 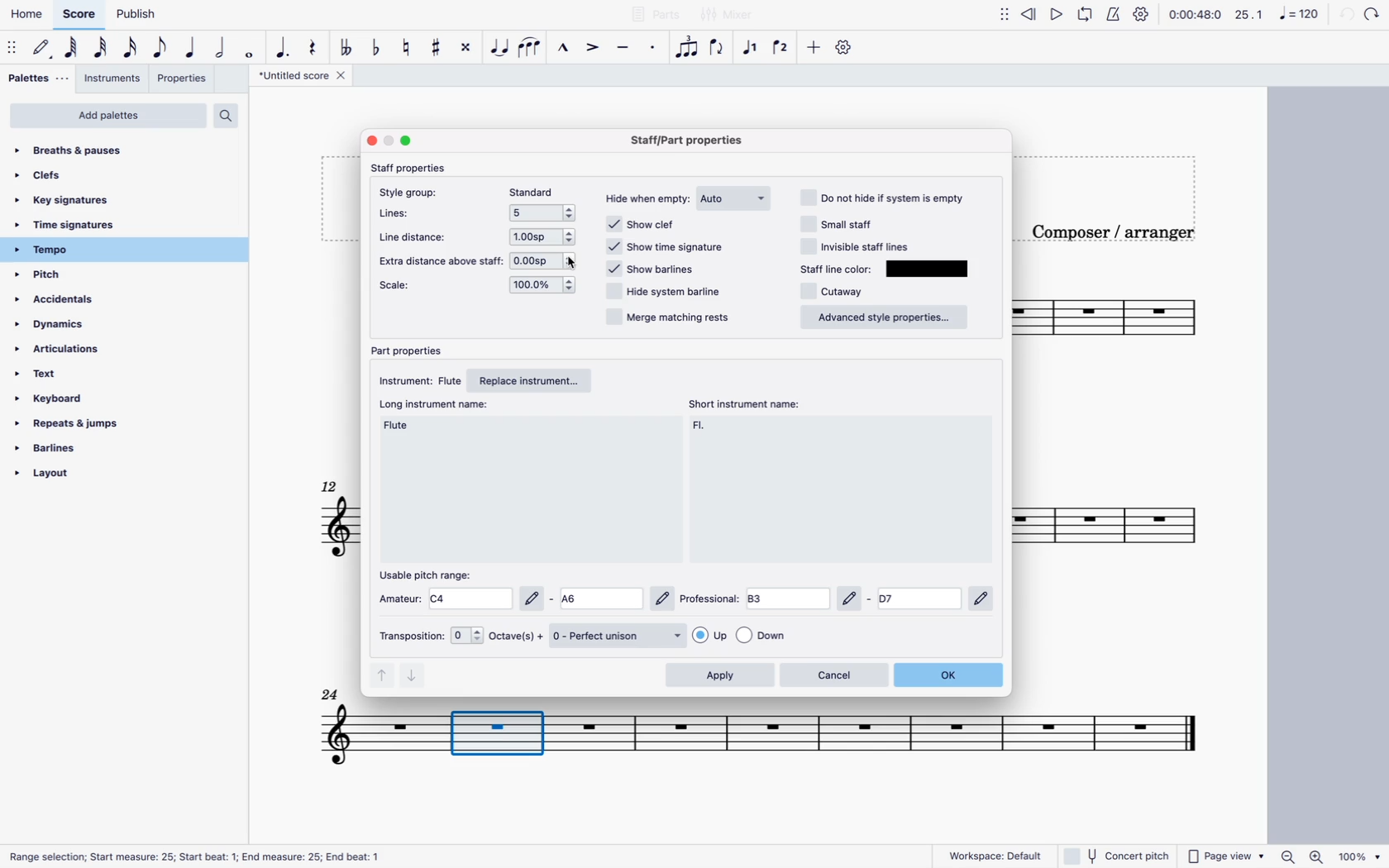 I want to click on options, so click(x=548, y=286).